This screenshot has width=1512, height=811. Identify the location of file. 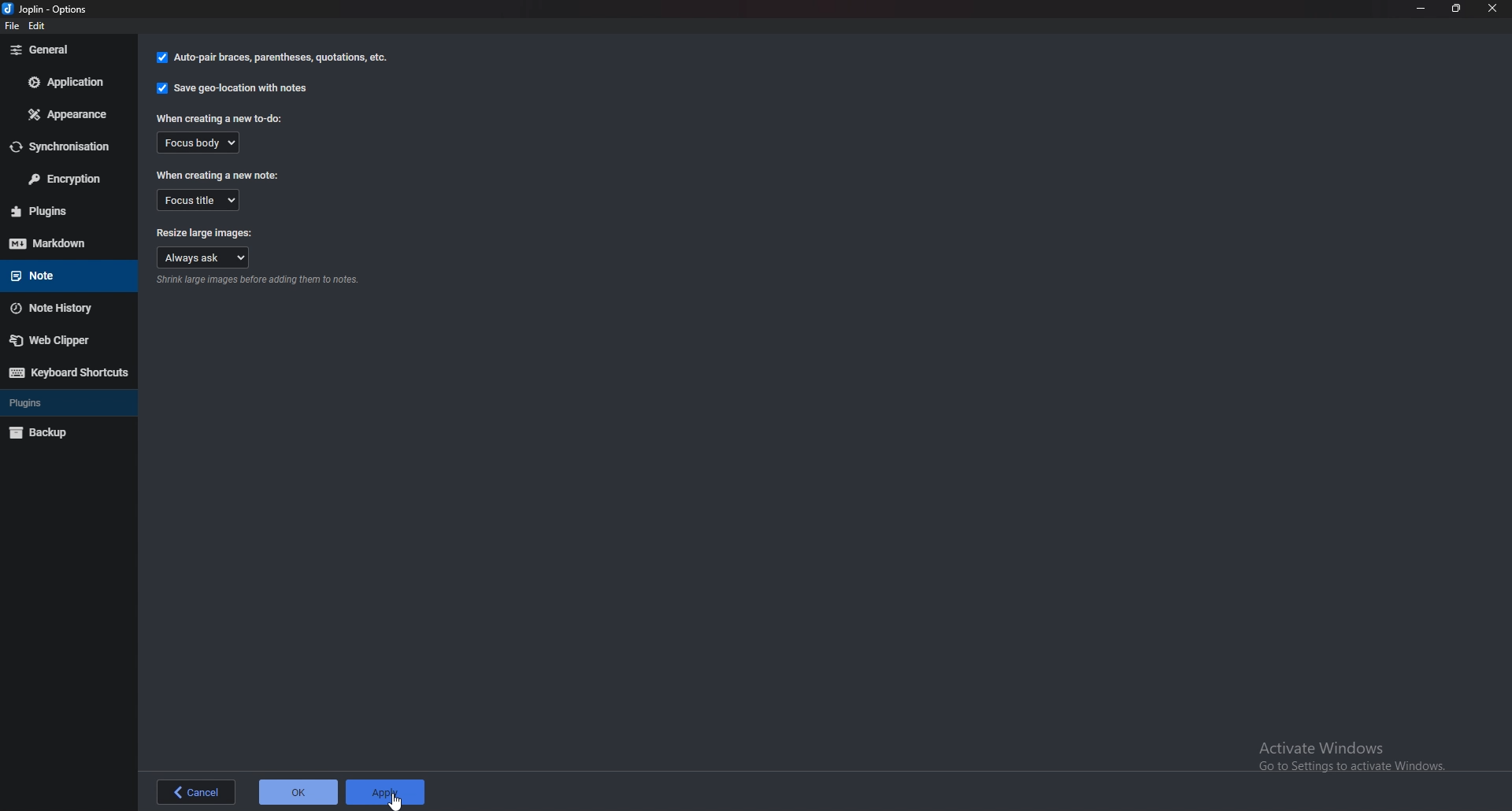
(15, 28).